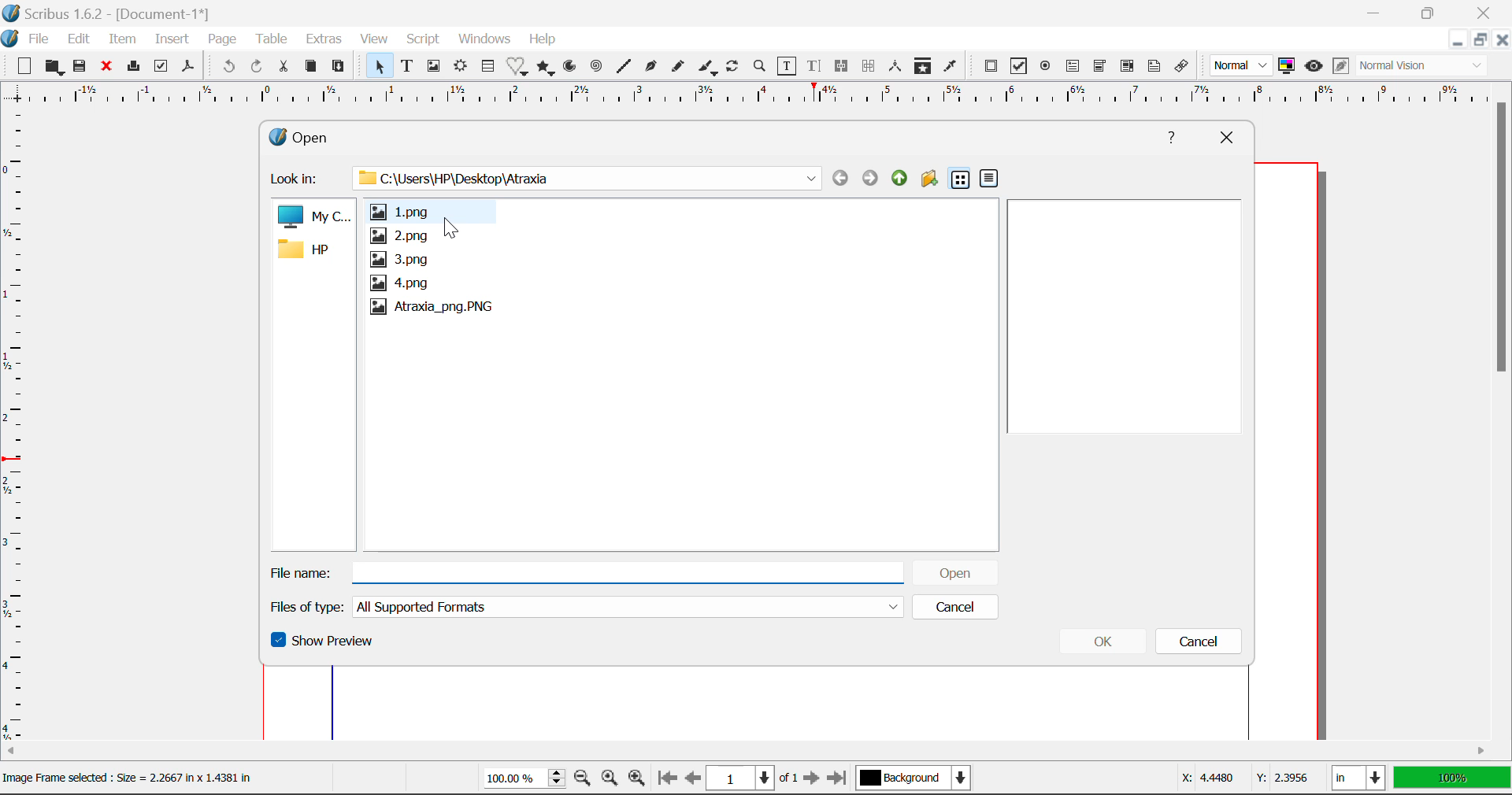 The width and height of the screenshot is (1512, 795). I want to click on 4.pNg, so click(402, 283).